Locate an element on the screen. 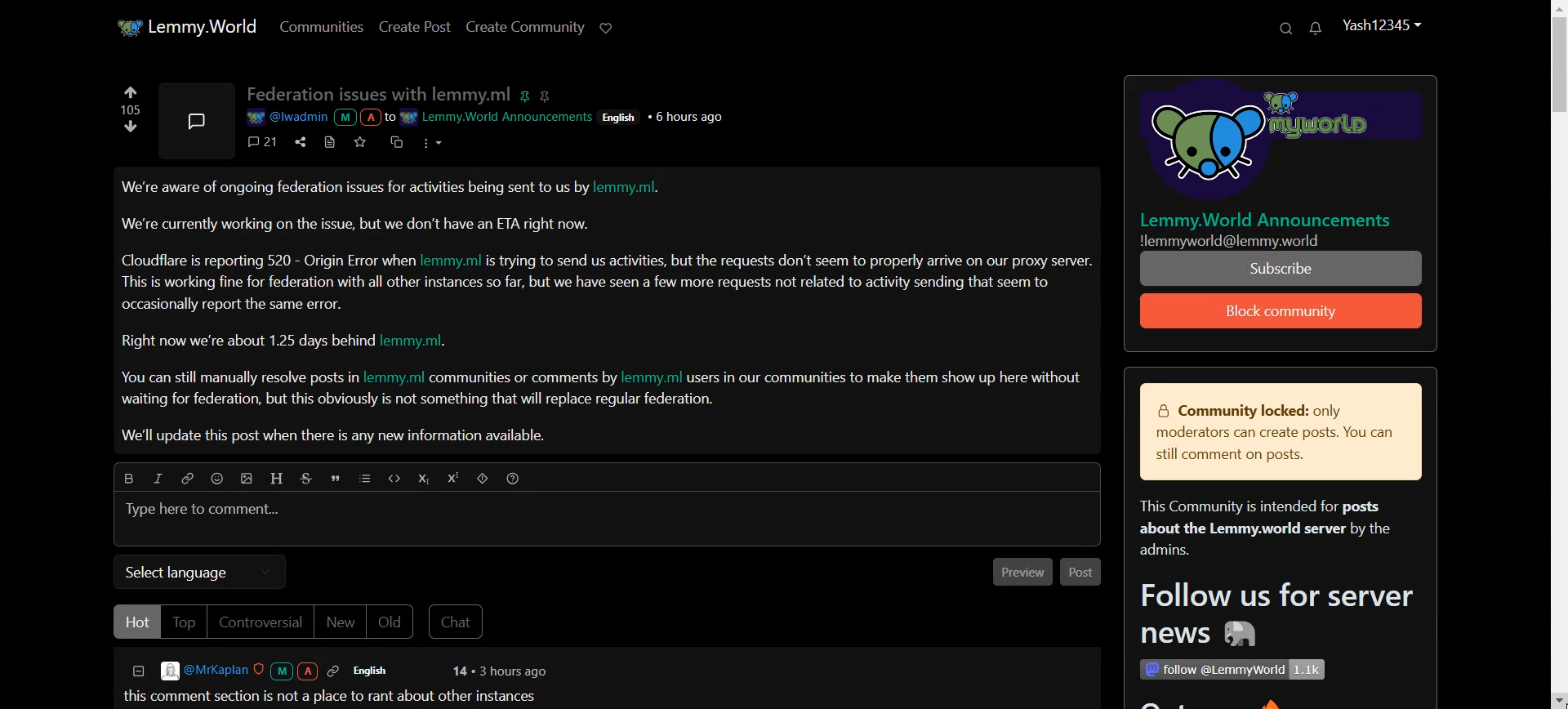 The height and width of the screenshot is (709, 1568). Create Post is located at coordinates (415, 25).